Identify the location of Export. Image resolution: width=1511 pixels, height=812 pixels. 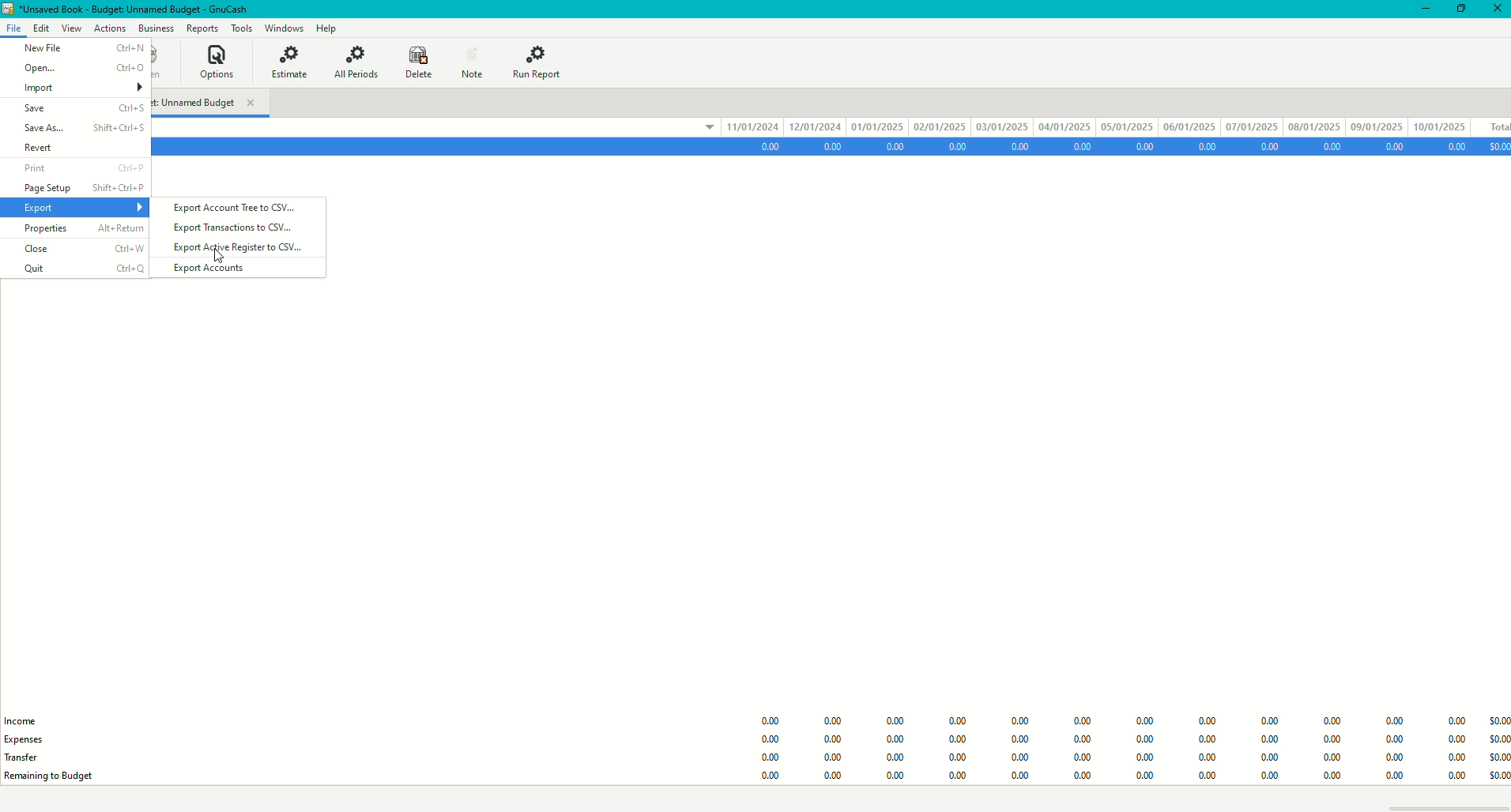
(77, 208).